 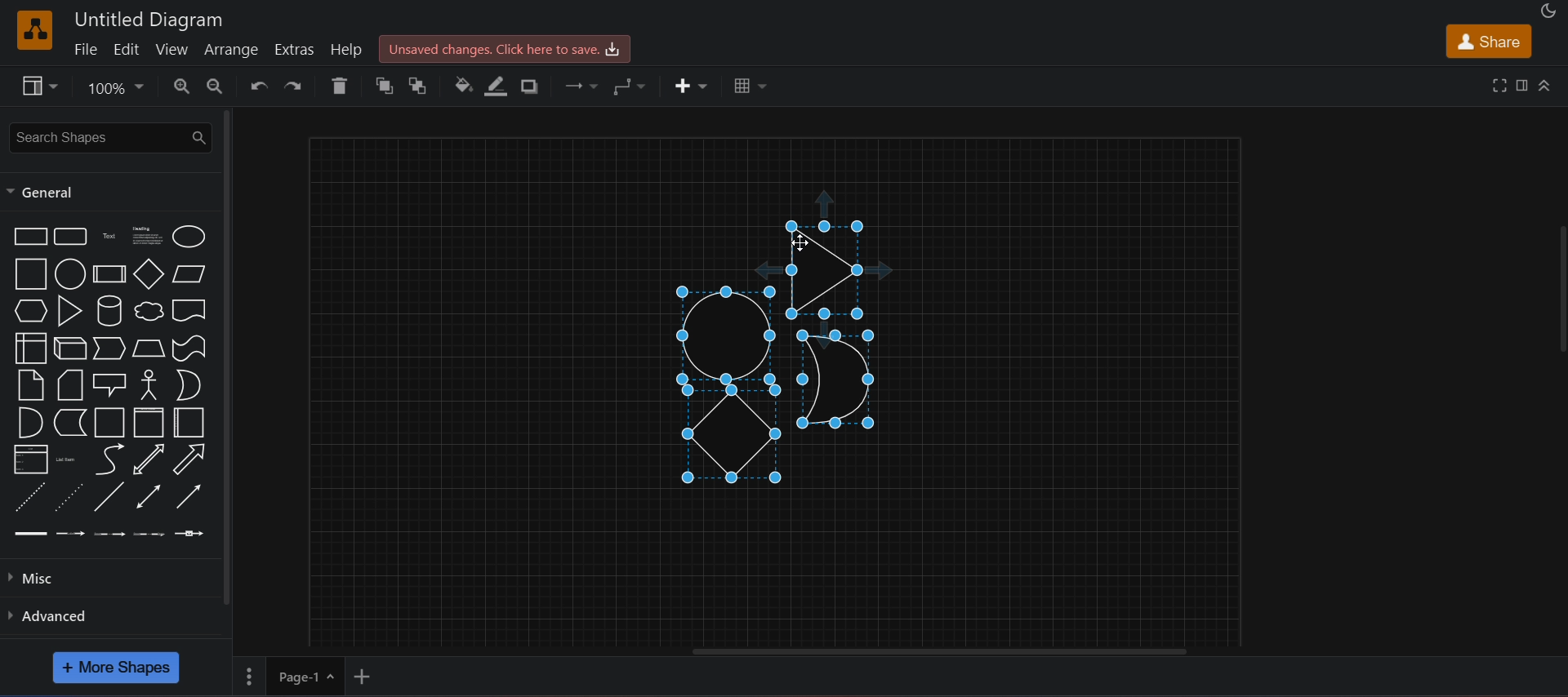 I want to click on horizontal container, so click(x=189, y=422).